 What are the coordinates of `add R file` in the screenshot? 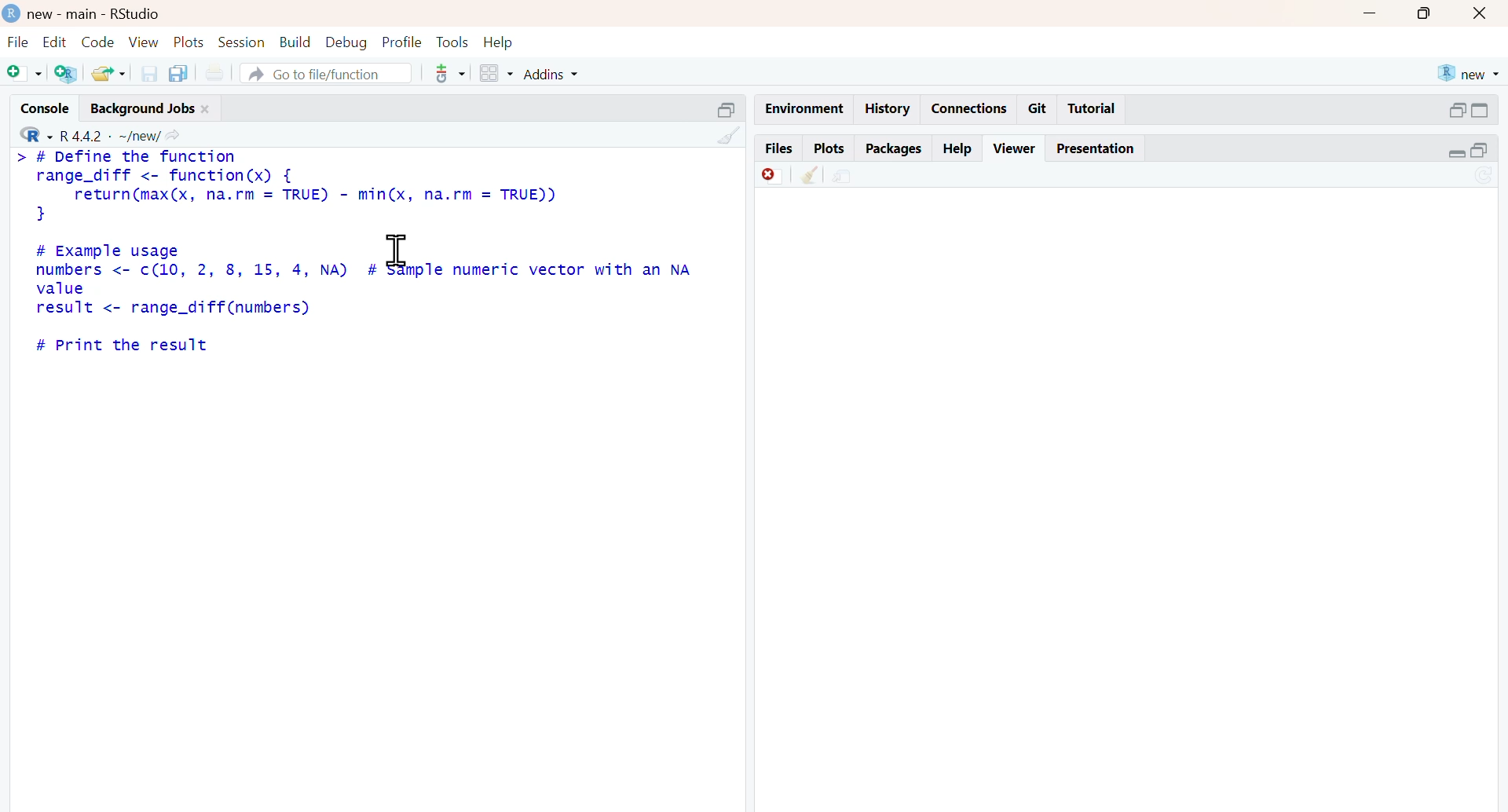 It's located at (68, 75).